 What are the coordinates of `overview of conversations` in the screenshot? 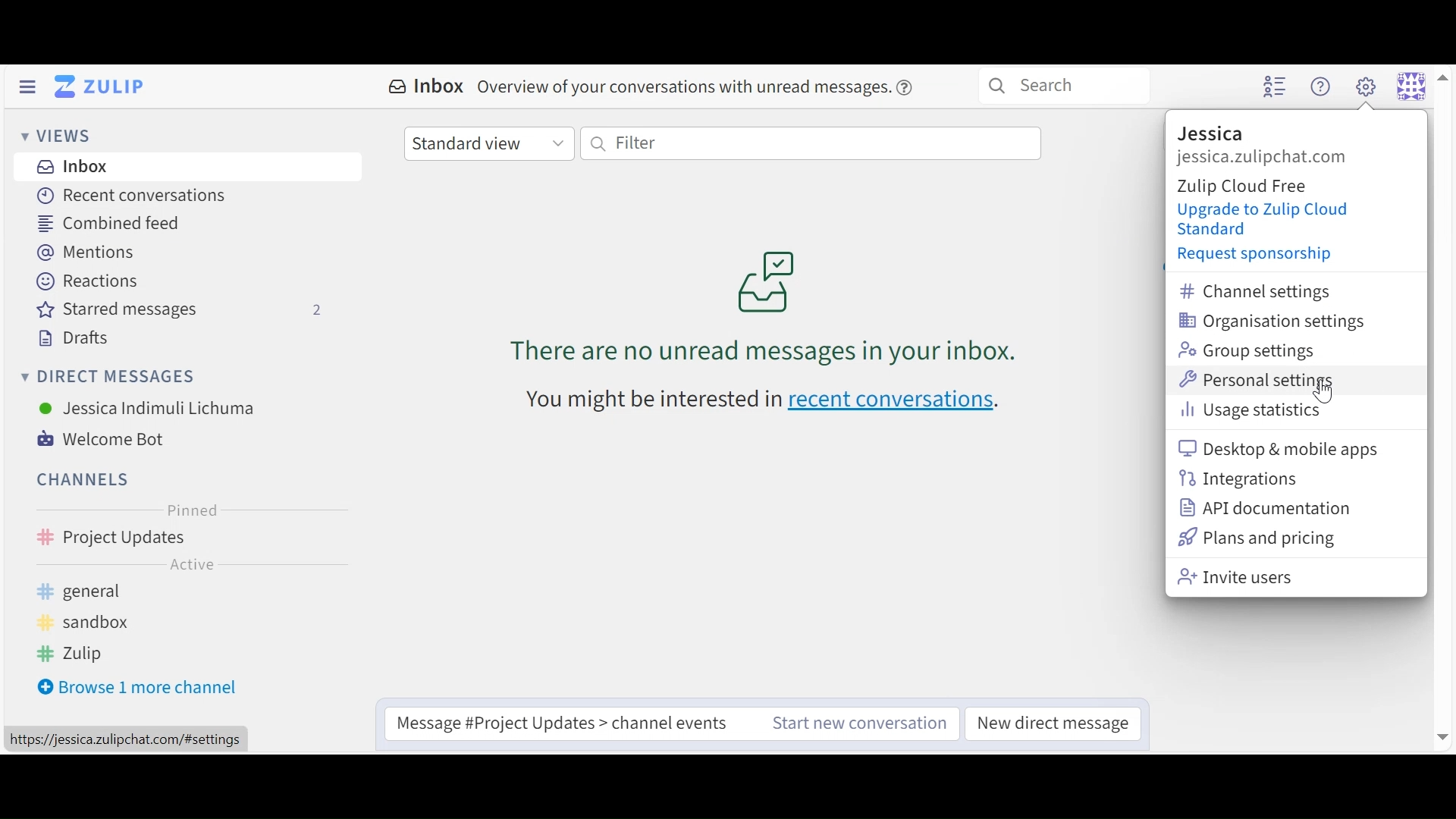 It's located at (700, 88).